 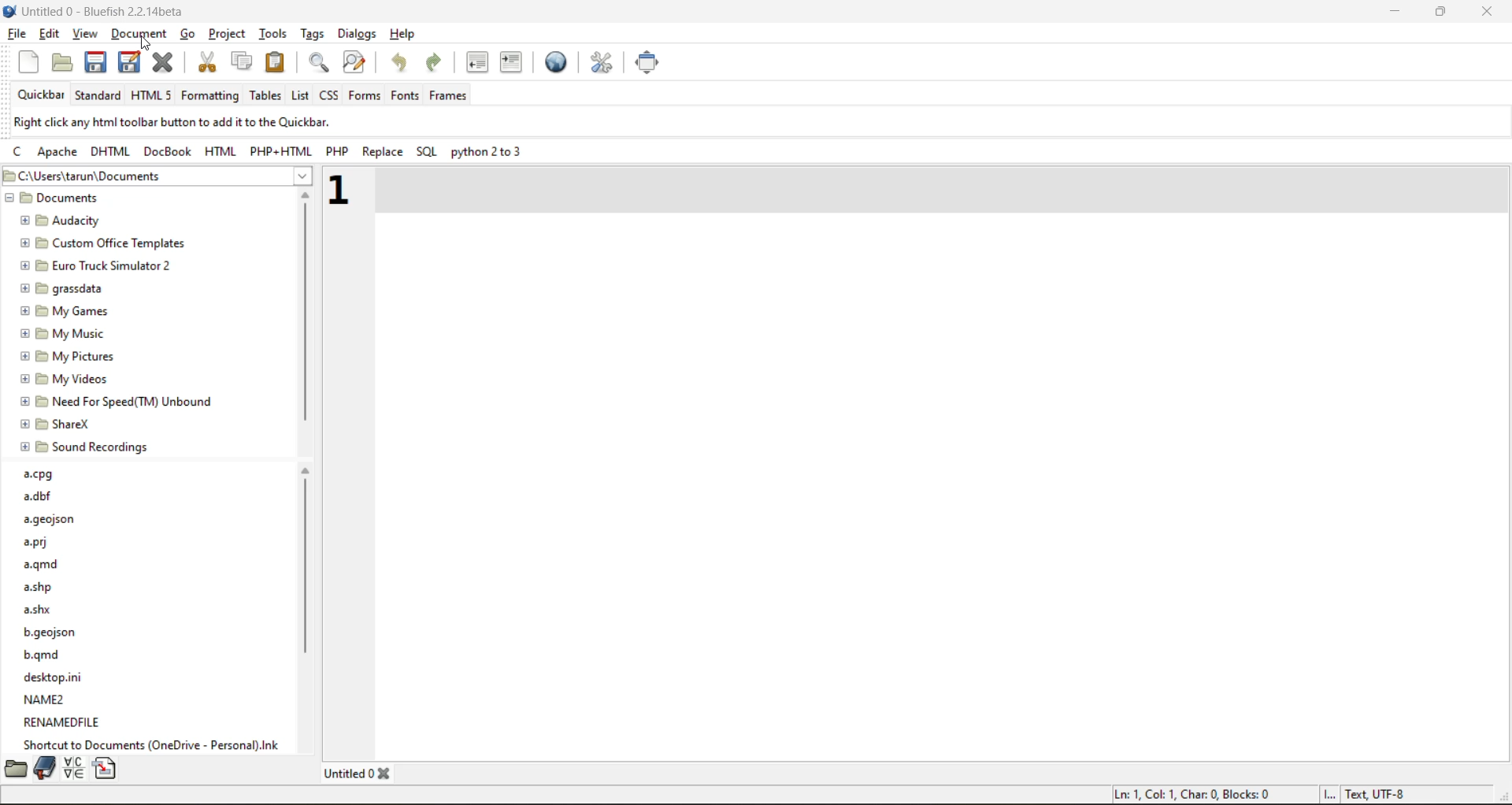 What do you see at coordinates (61, 289) in the screenshot?
I see `grasssdata` at bounding box center [61, 289].